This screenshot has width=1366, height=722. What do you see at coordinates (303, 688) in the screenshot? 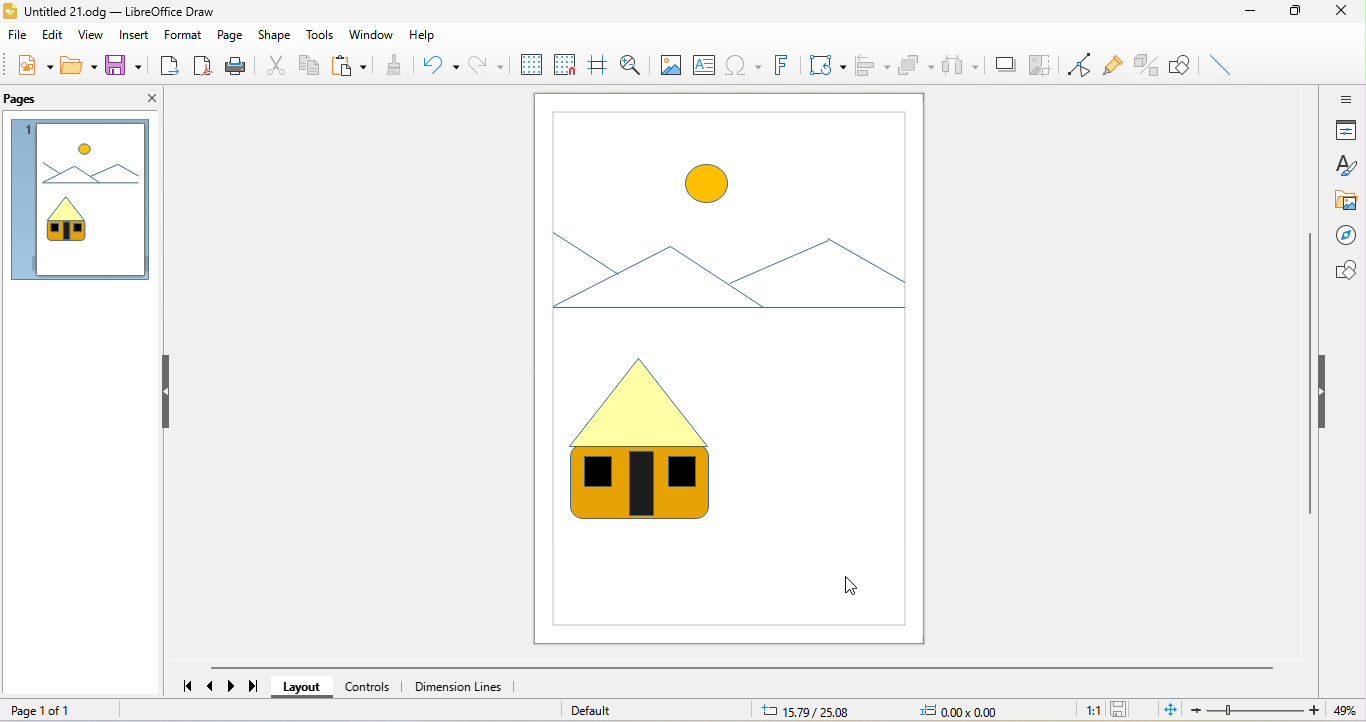
I see `layout` at bounding box center [303, 688].